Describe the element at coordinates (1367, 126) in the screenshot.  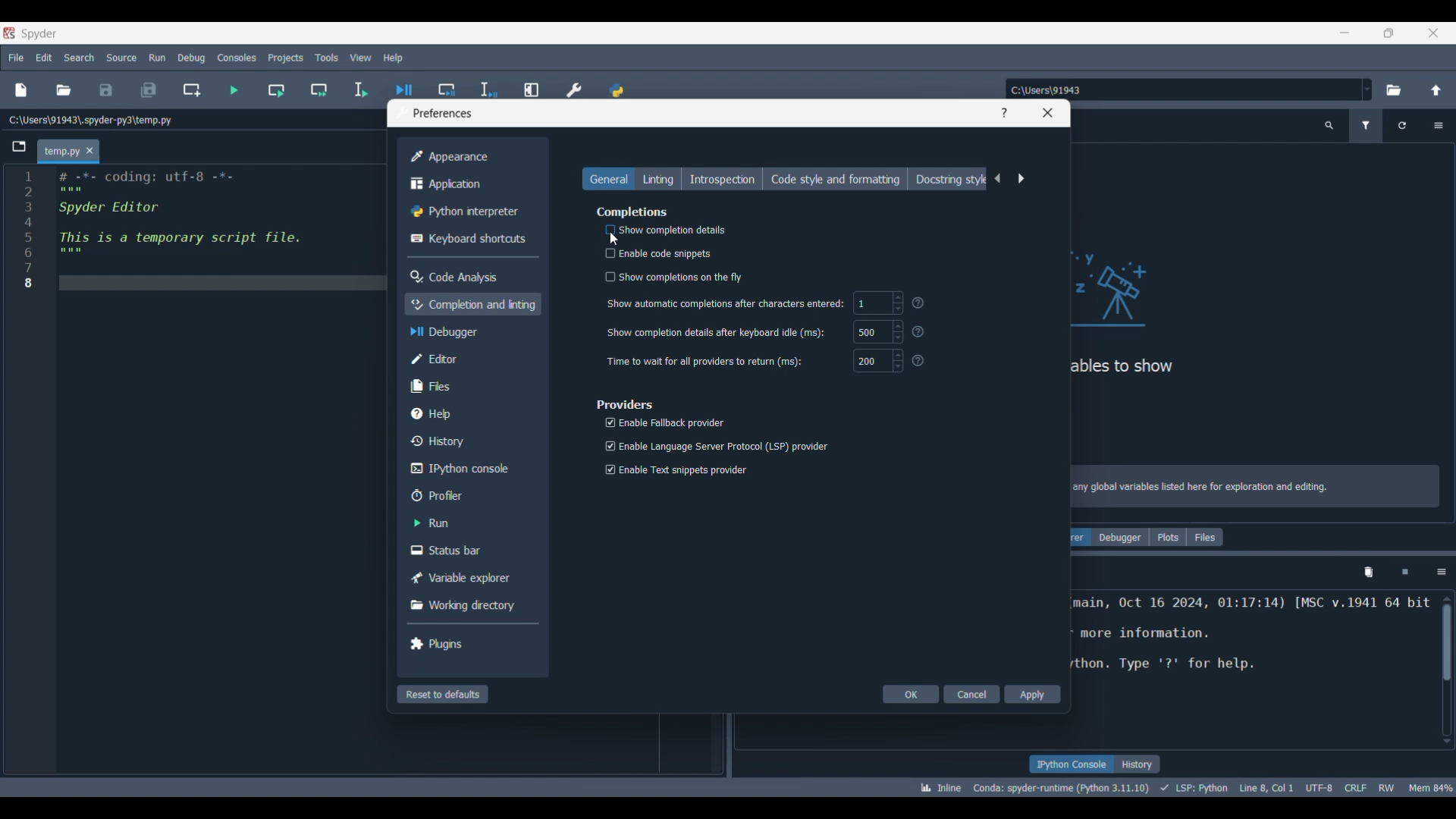
I see `Filter variables` at that location.